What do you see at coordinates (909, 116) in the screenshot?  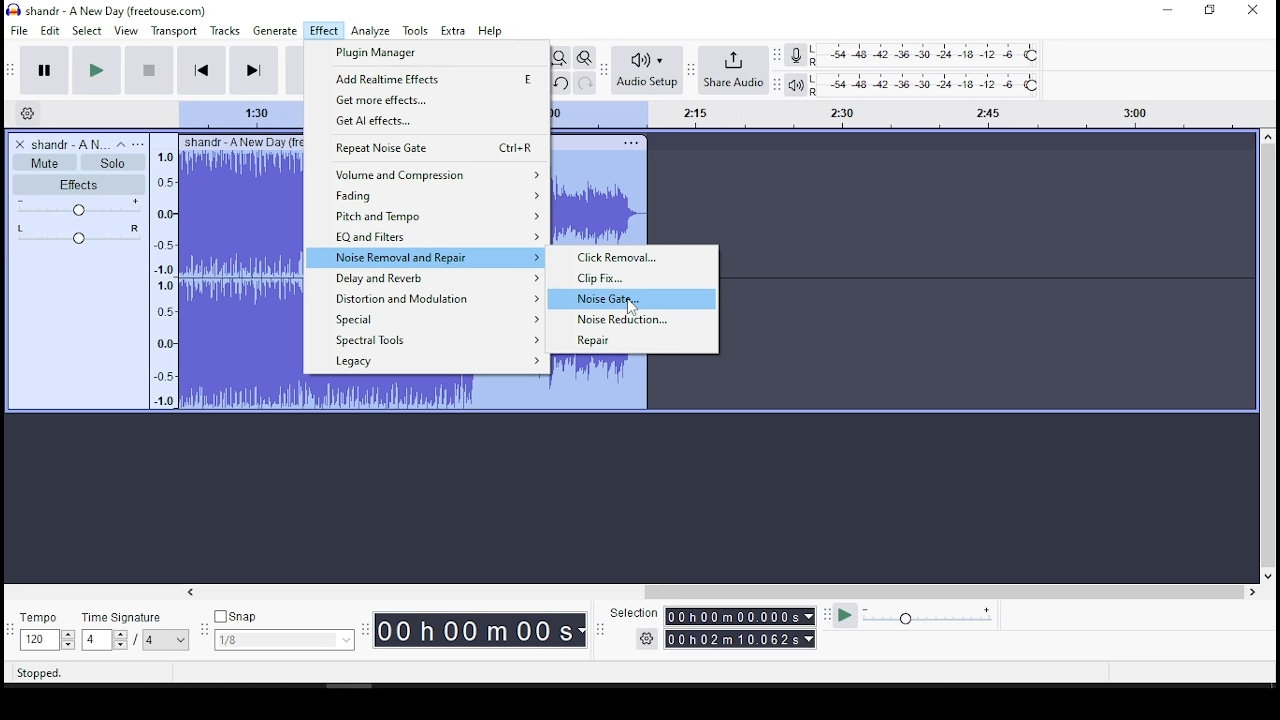 I see `track's timing` at bounding box center [909, 116].